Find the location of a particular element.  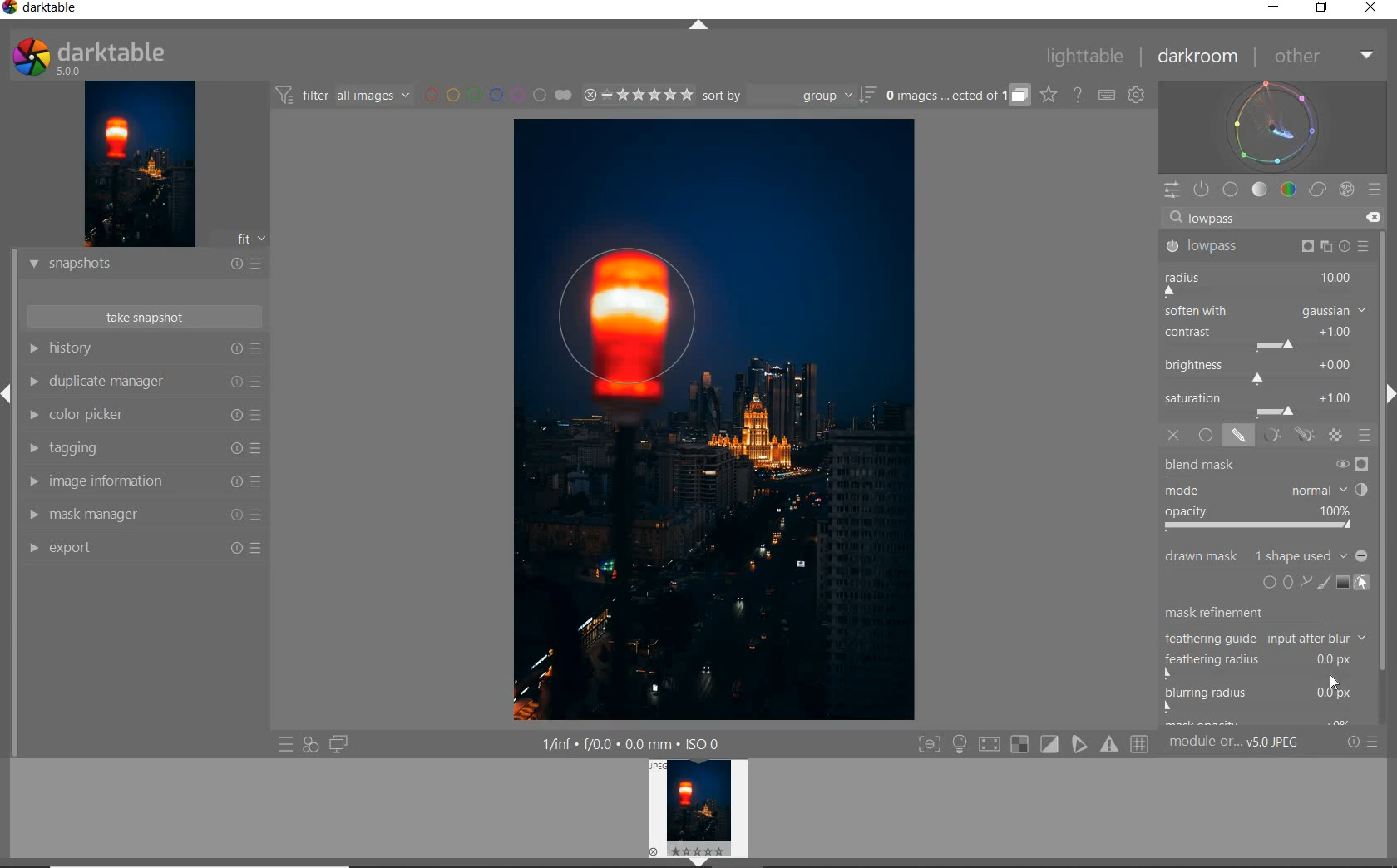

BRIGHTNESS is located at coordinates (1265, 370).